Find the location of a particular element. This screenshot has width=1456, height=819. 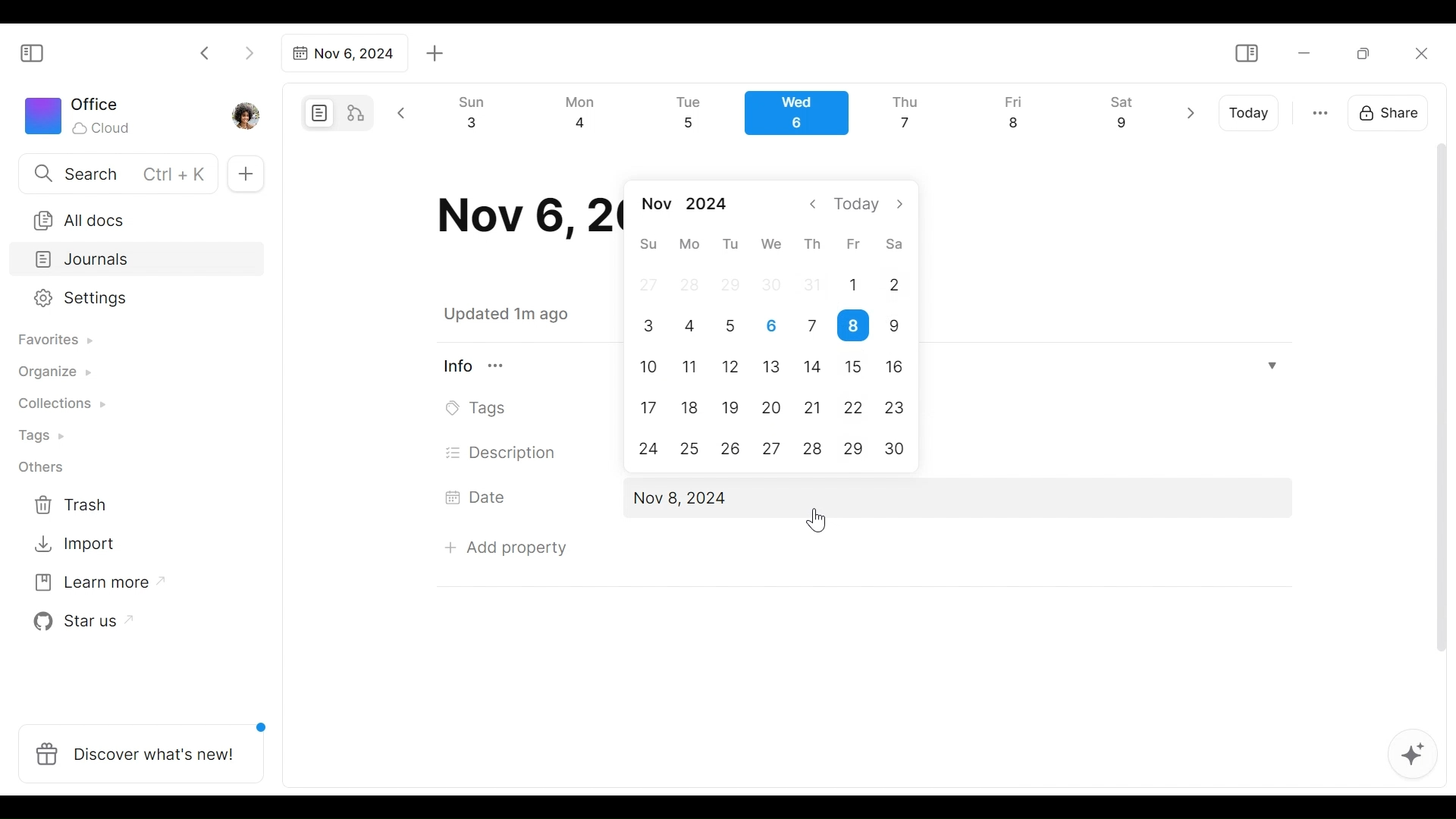

Settings is located at coordinates (125, 299).